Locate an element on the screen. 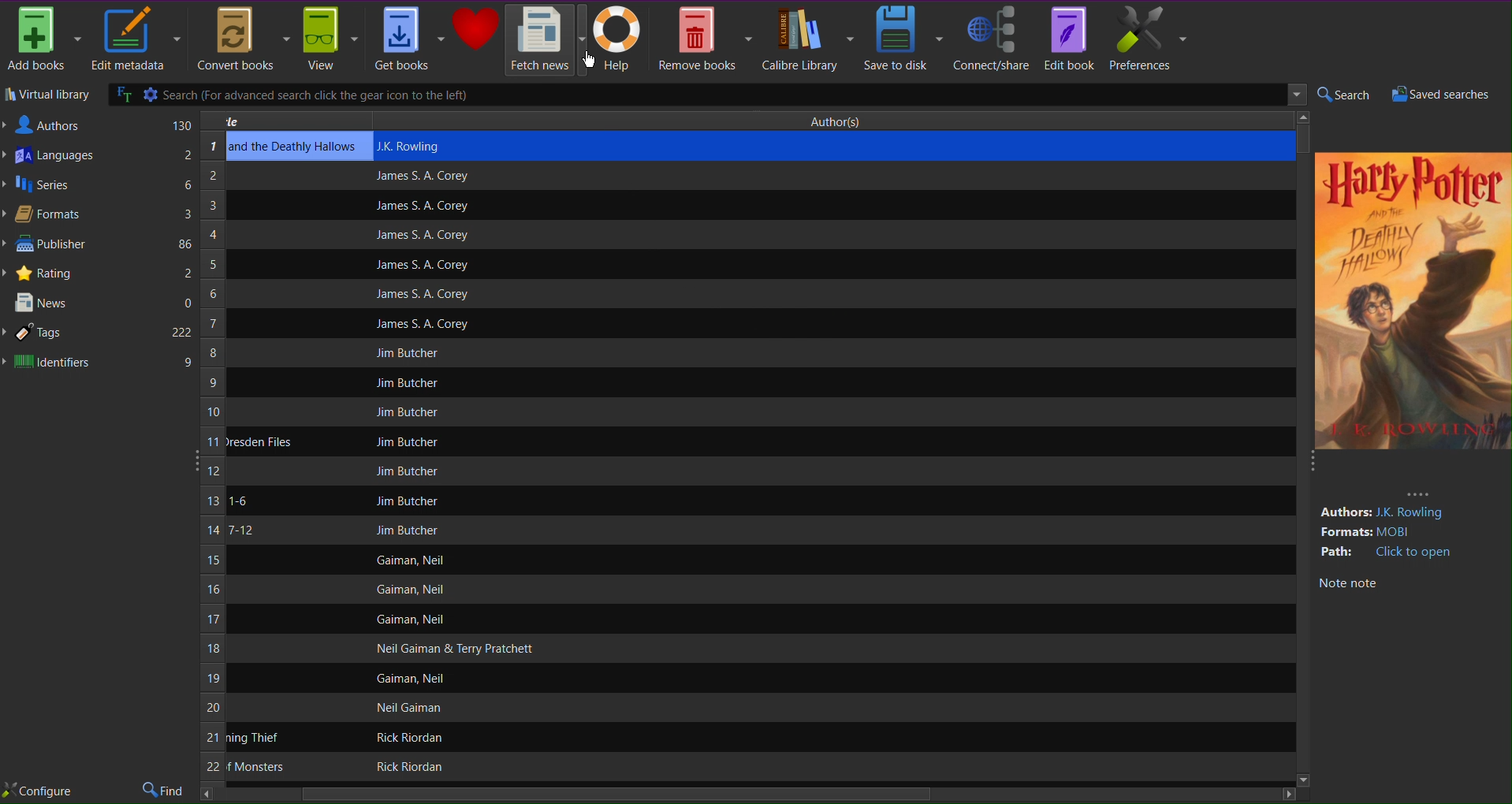 The image size is (1512, 804). Monsters is located at coordinates (255, 767).